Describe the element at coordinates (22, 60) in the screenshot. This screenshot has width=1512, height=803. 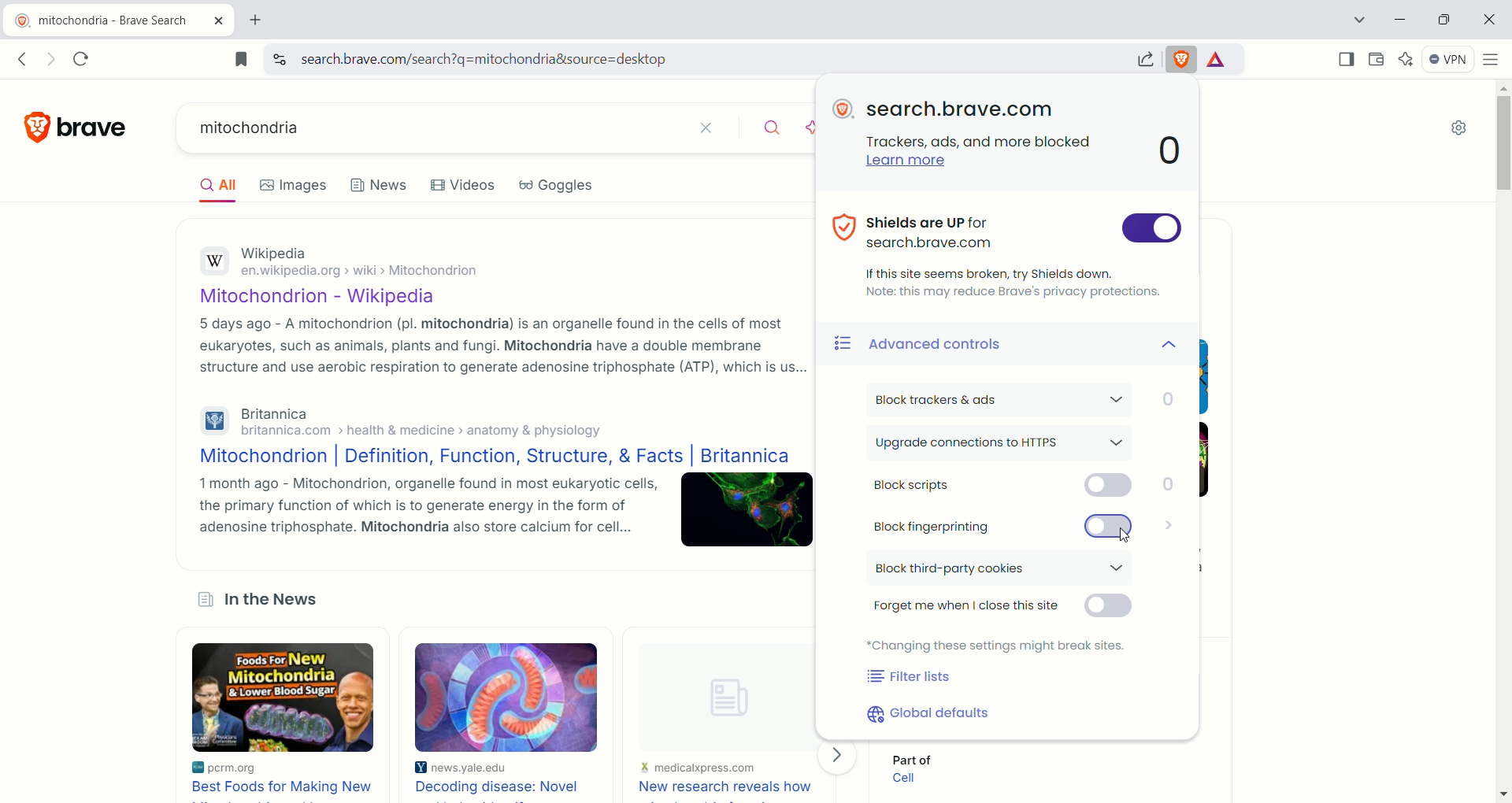
I see `Click to go back, hold to see history` at that location.